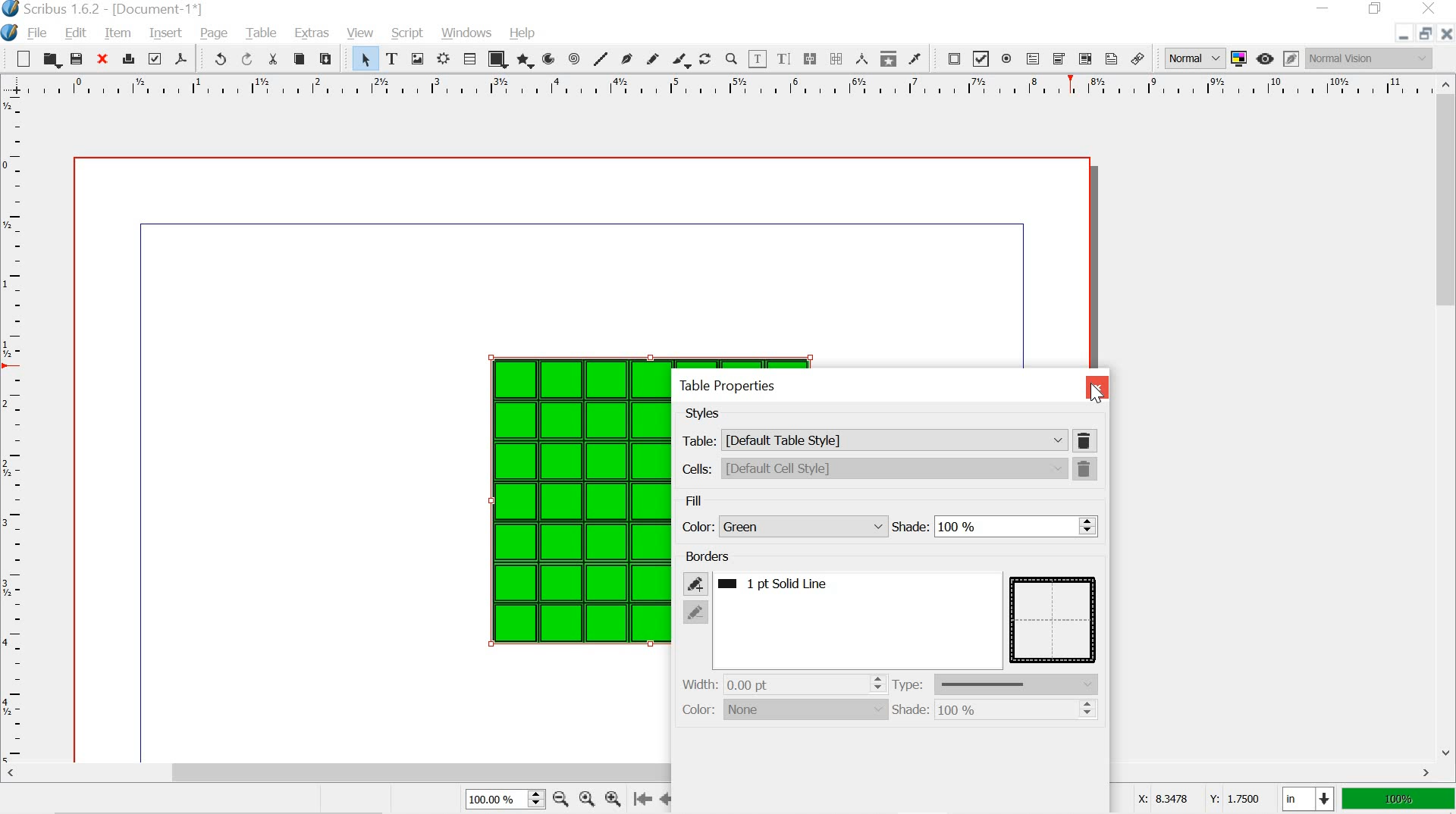  I want to click on type, so click(999, 684).